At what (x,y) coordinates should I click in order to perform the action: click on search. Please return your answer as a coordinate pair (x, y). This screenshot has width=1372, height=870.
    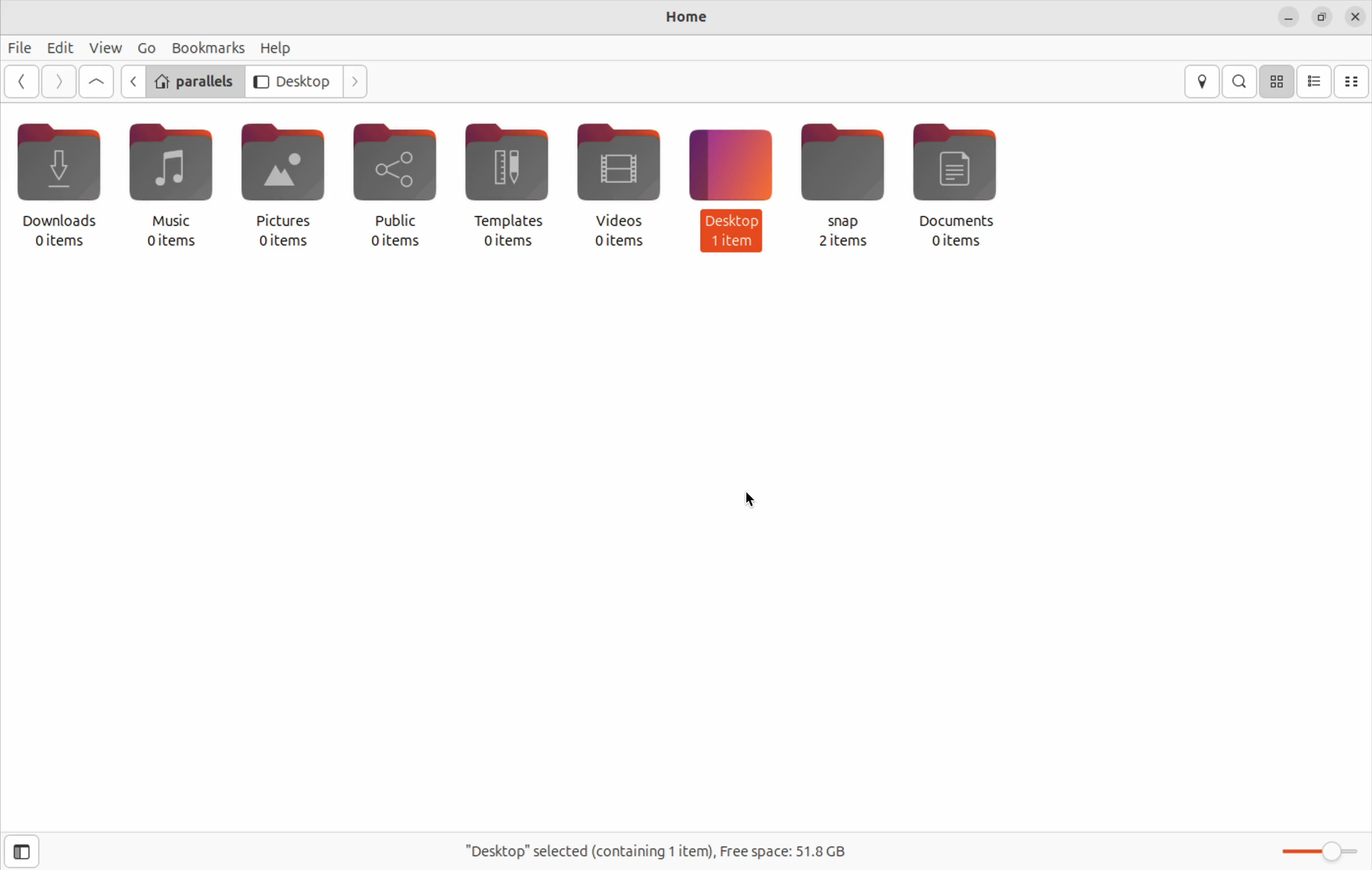
    Looking at the image, I should click on (1240, 81).